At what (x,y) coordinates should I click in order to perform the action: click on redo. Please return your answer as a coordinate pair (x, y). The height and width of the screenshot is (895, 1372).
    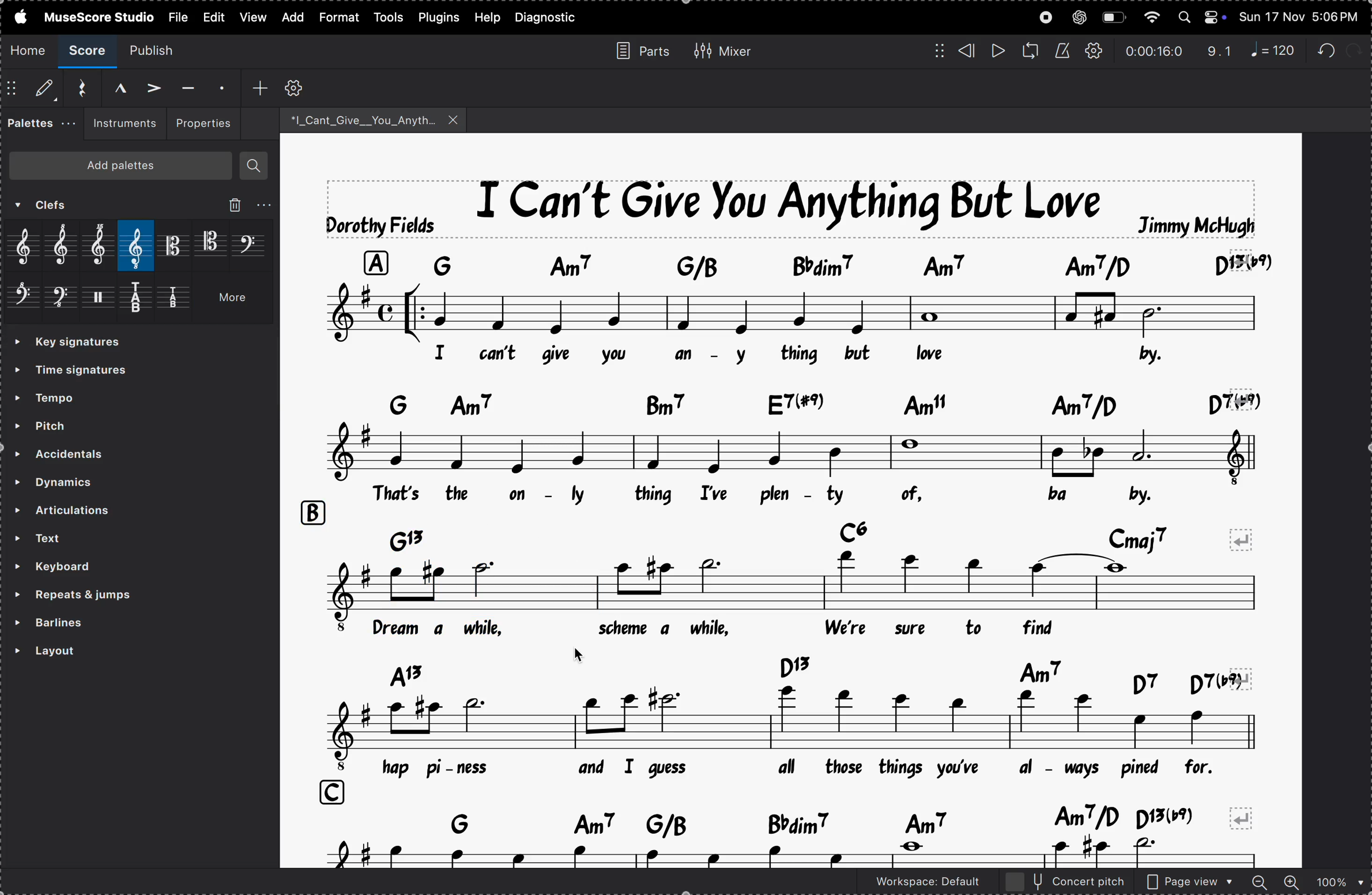
    Looking at the image, I should click on (1329, 48).